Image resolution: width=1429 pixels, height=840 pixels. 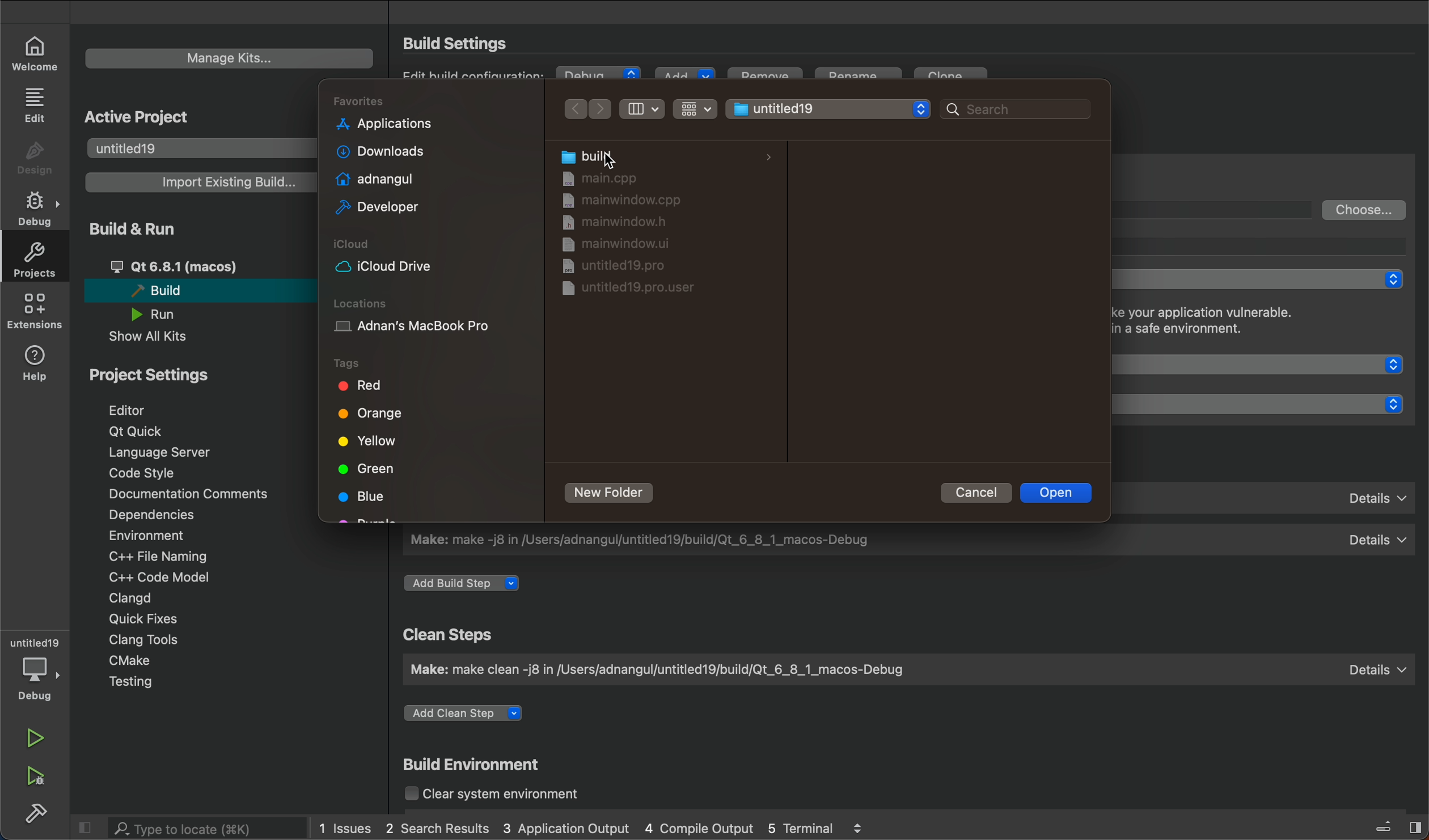 I want to click on file, so click(x=621, y=265).